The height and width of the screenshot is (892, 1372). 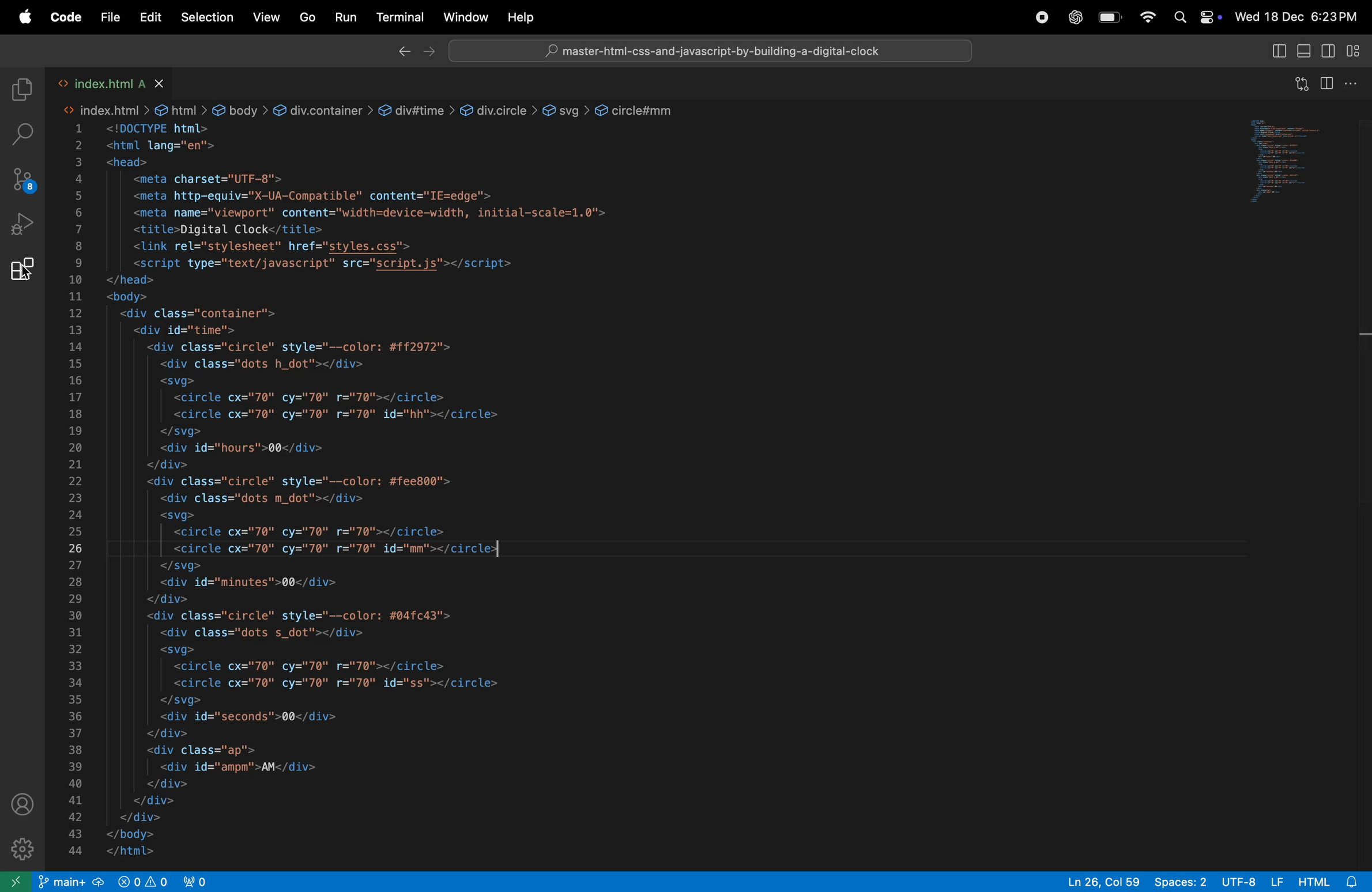 I want to click on chatgpt, so click(x=1073, y=17).